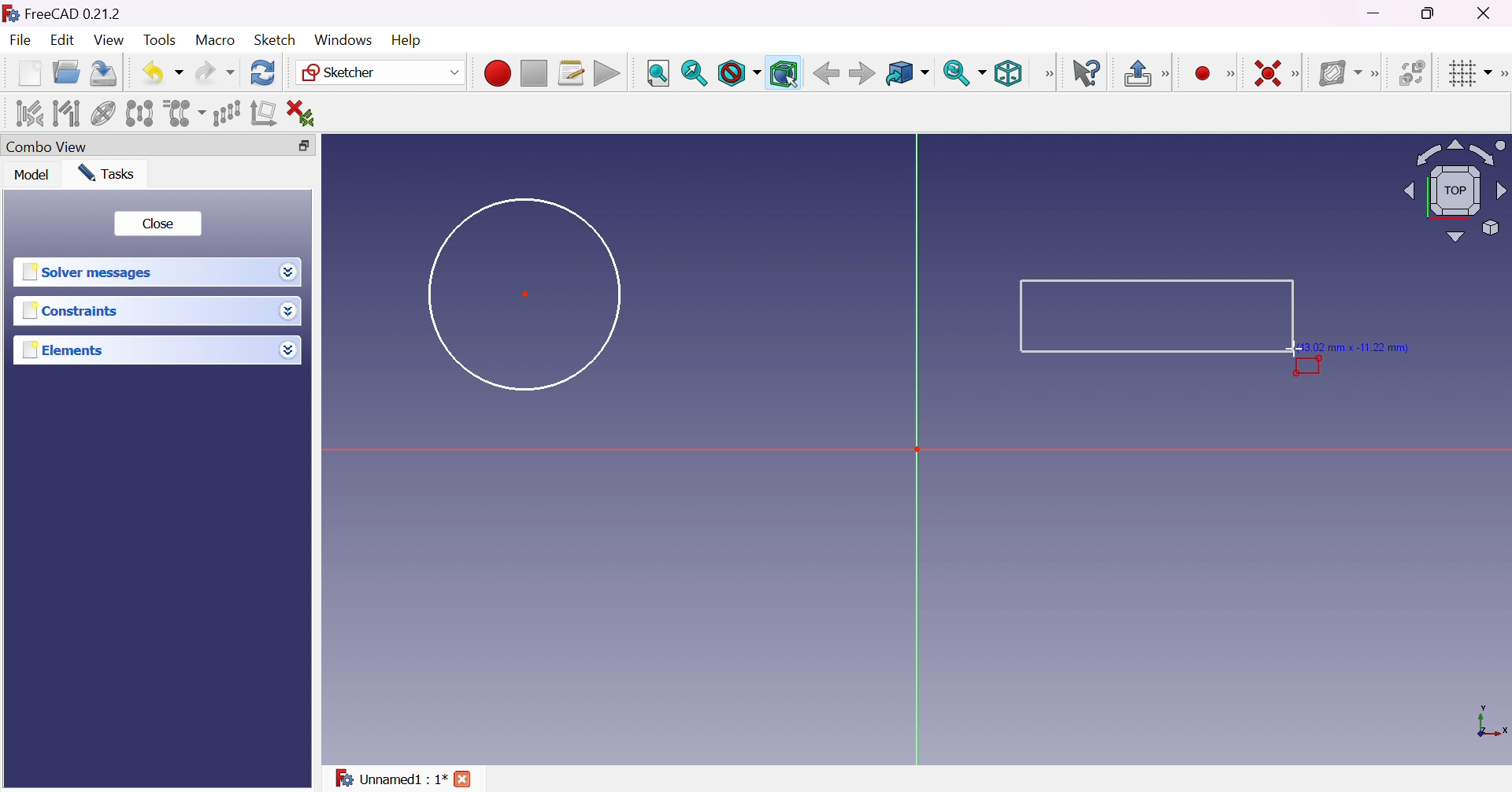 This screenshot has height=792, width=1512. I want to click on Save, so click(101, 72).